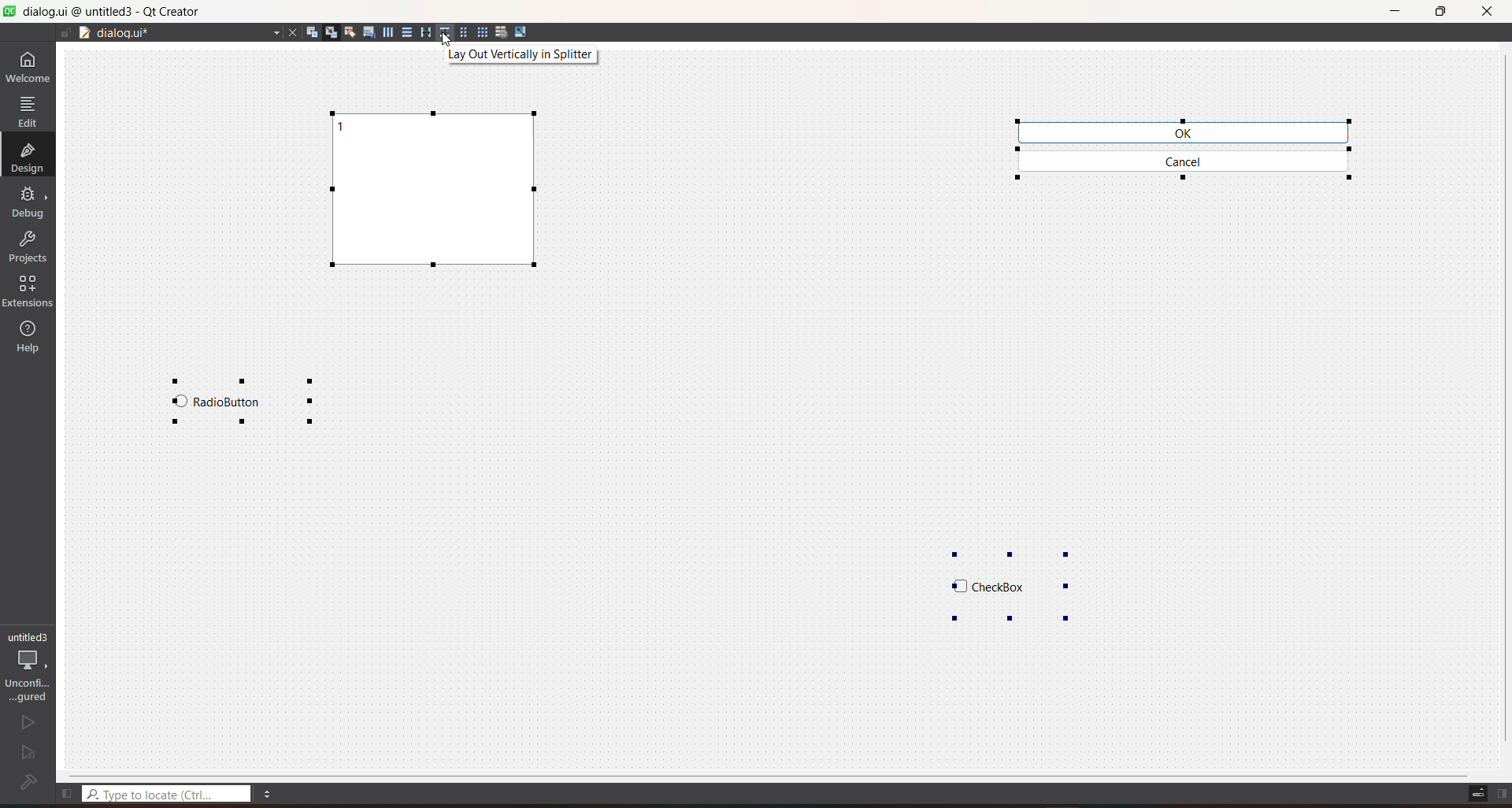  Describe the element at coordinates (1394, 13) in the screenshot. I see `minimize` at that location.